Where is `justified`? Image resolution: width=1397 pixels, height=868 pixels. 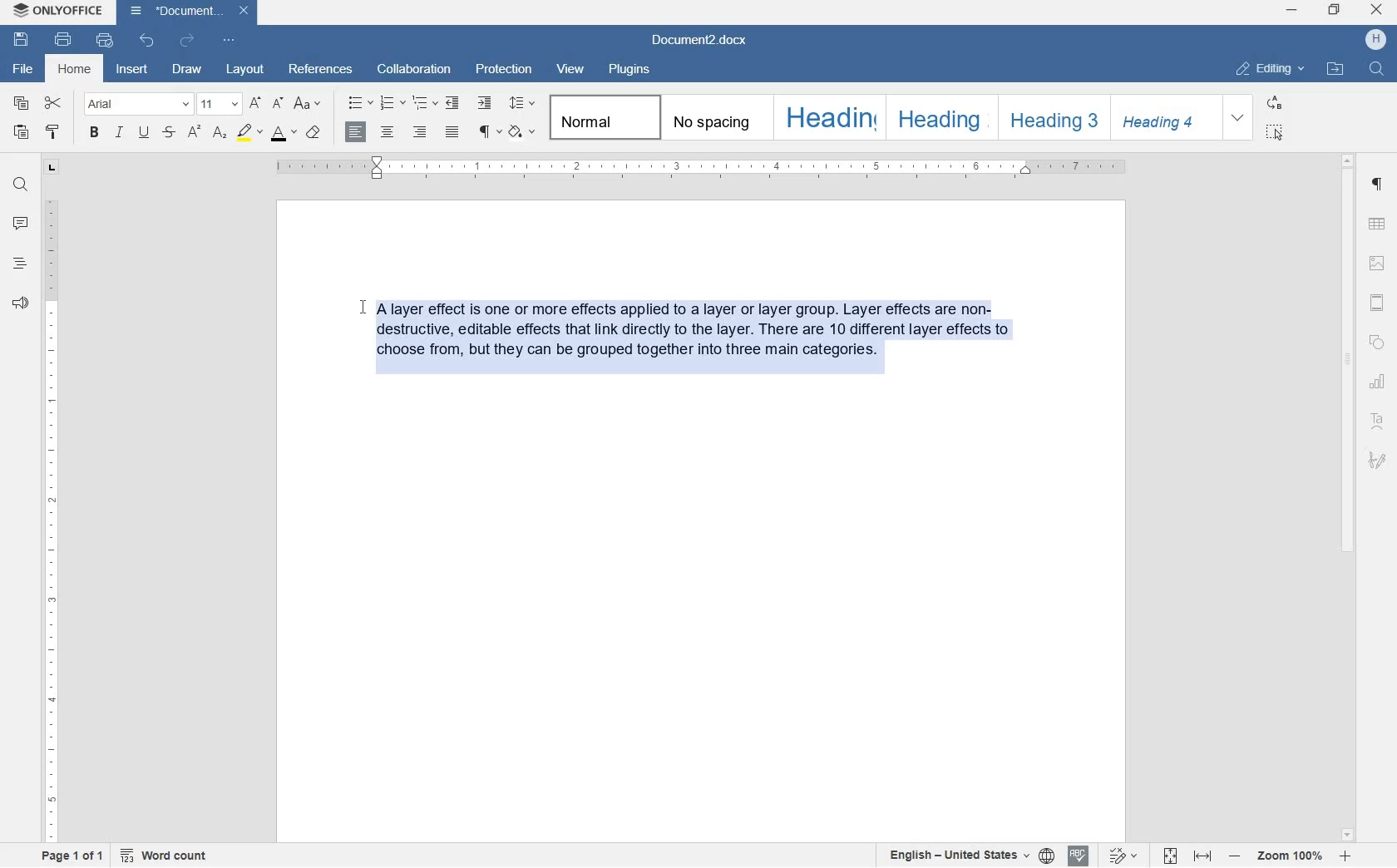
justified is located at coordinates (454, 132).